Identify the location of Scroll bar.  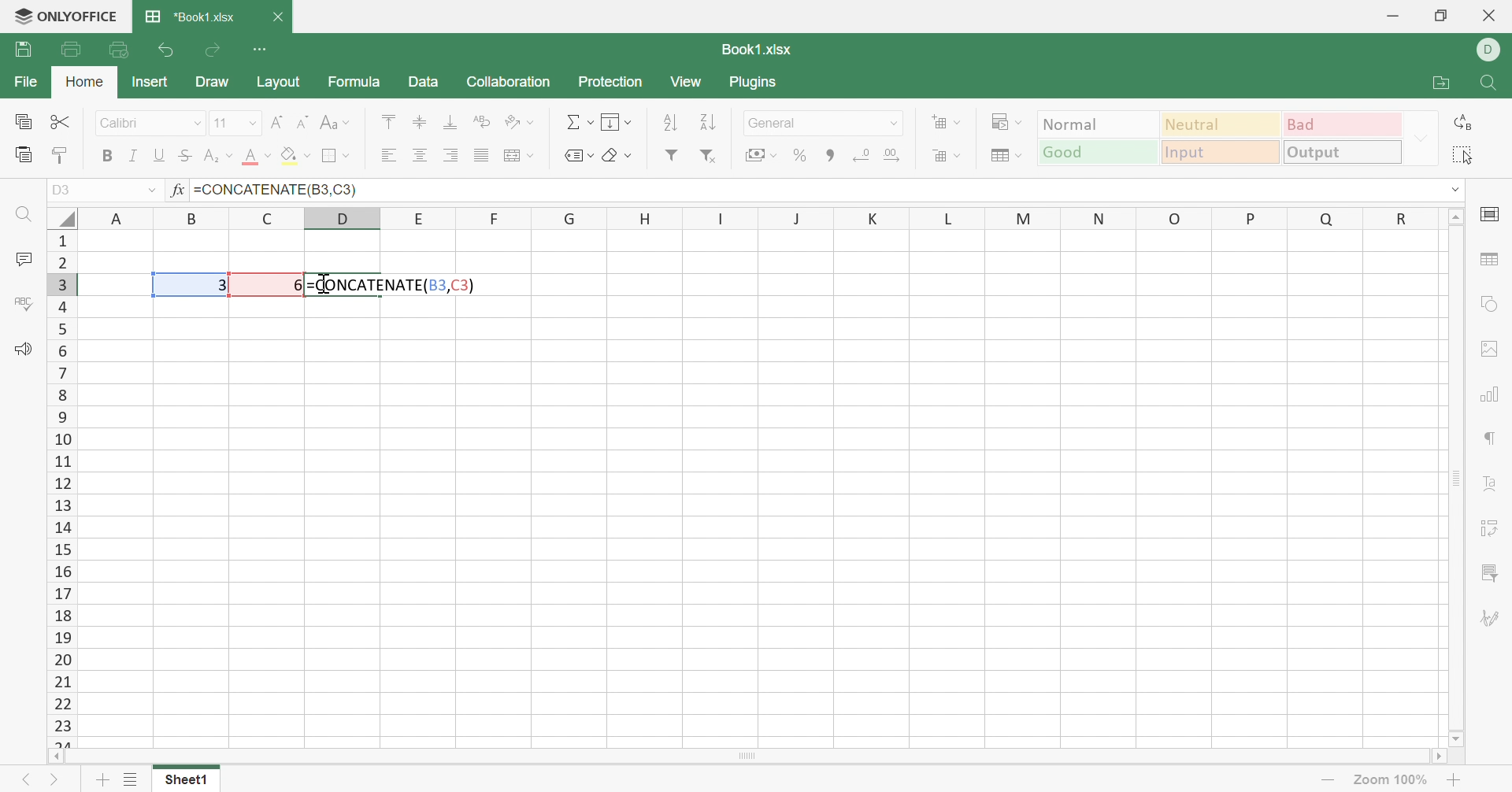
(1458, 477).